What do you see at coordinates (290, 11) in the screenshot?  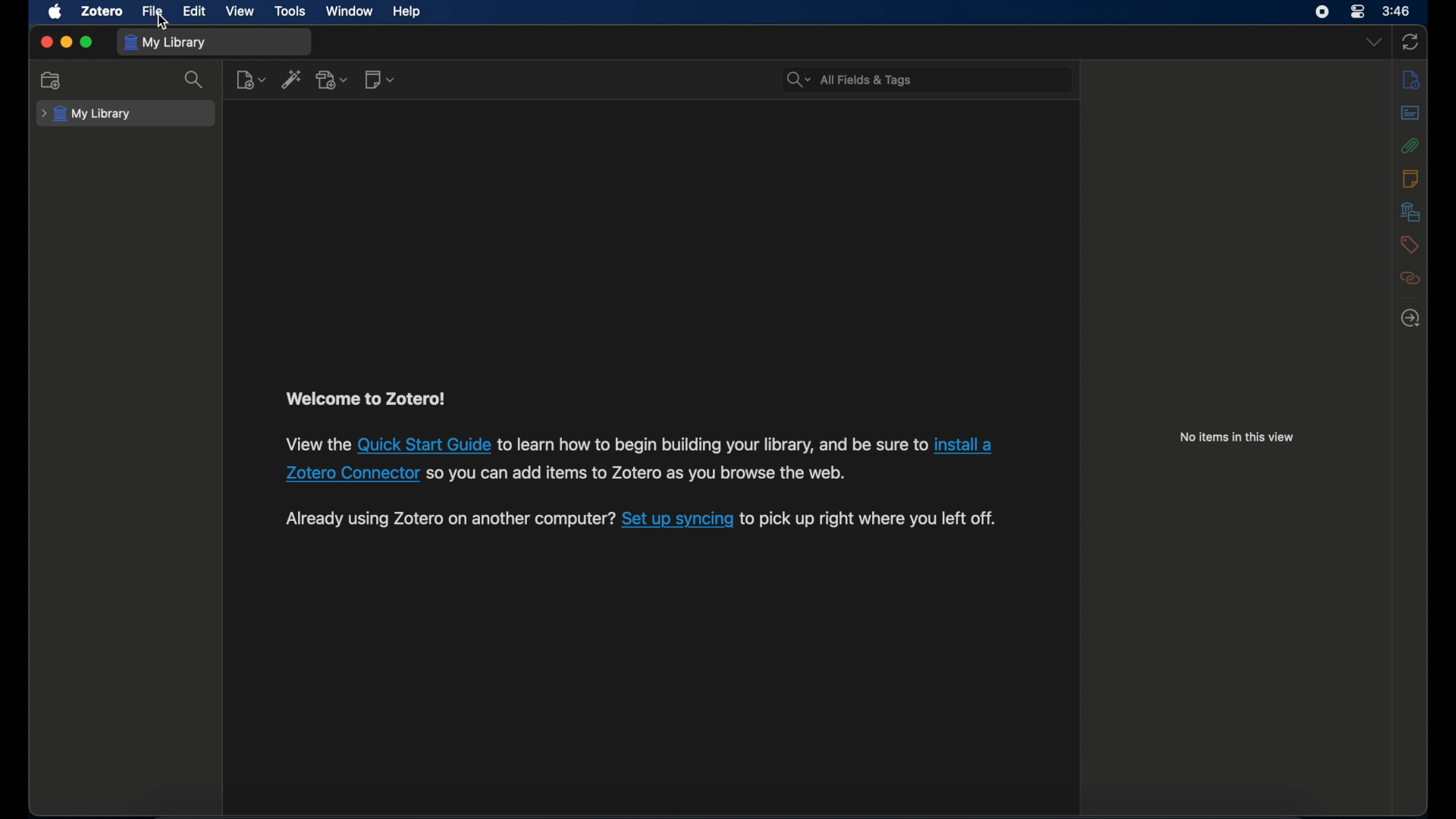 I see `tools` at bounding box center [290, 11].